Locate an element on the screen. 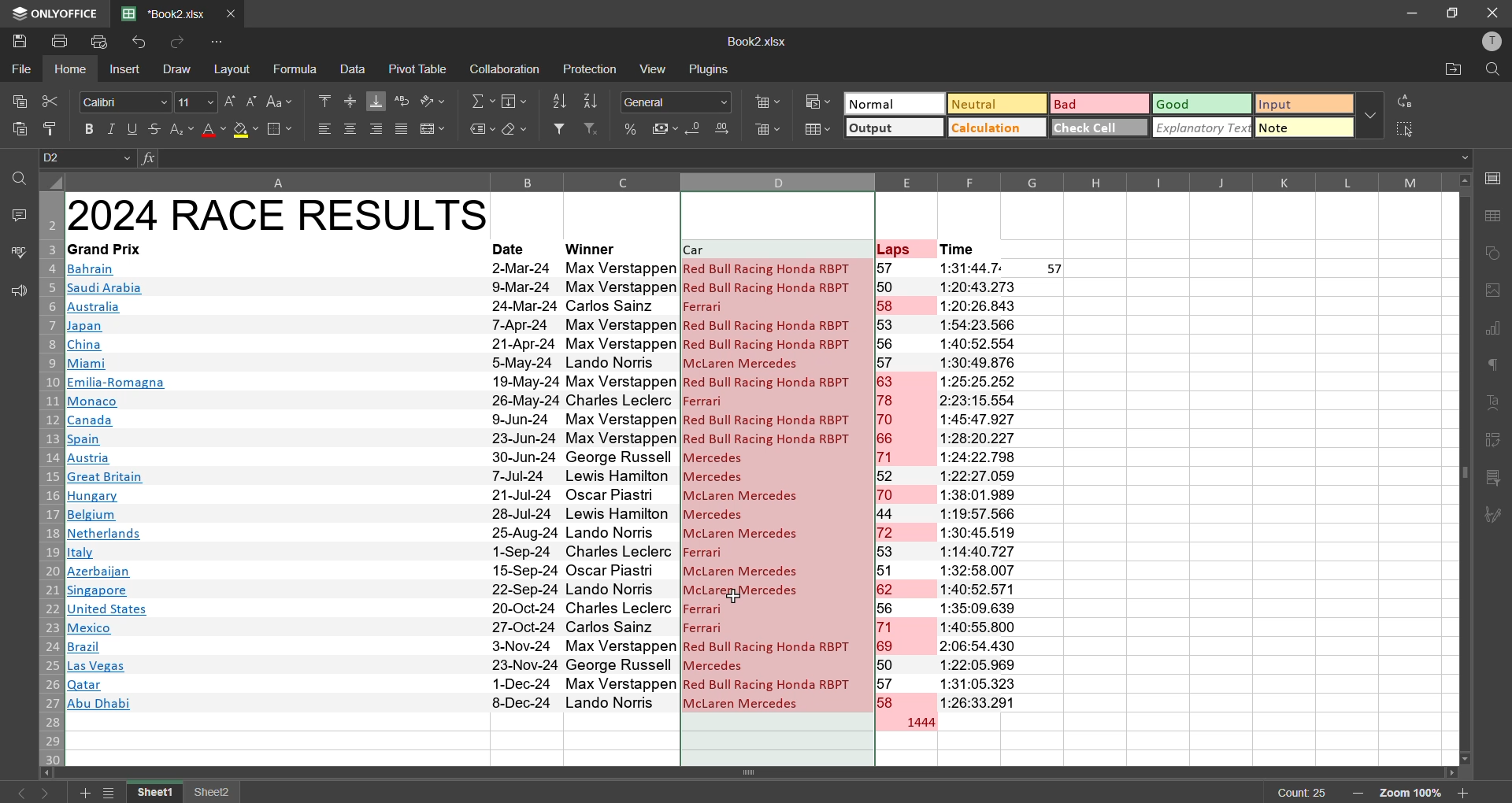 This screenshot has height=803, width=1512. 57 is located at coordinates (1056, 269).